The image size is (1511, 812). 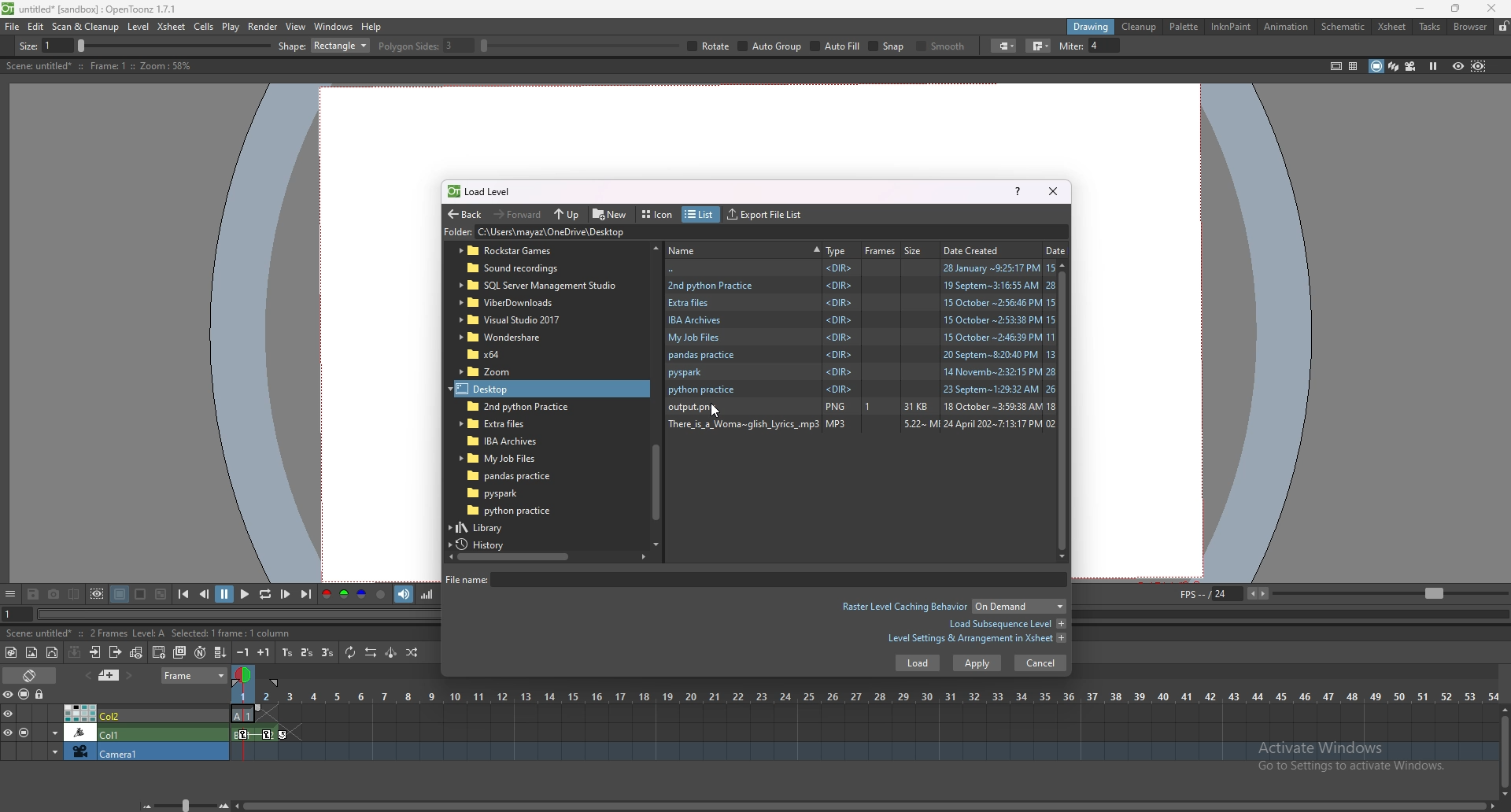 What do you see at coordinates (86, 675) in the screenshot?
I see `previous memo` at bounding box center [86, 675].